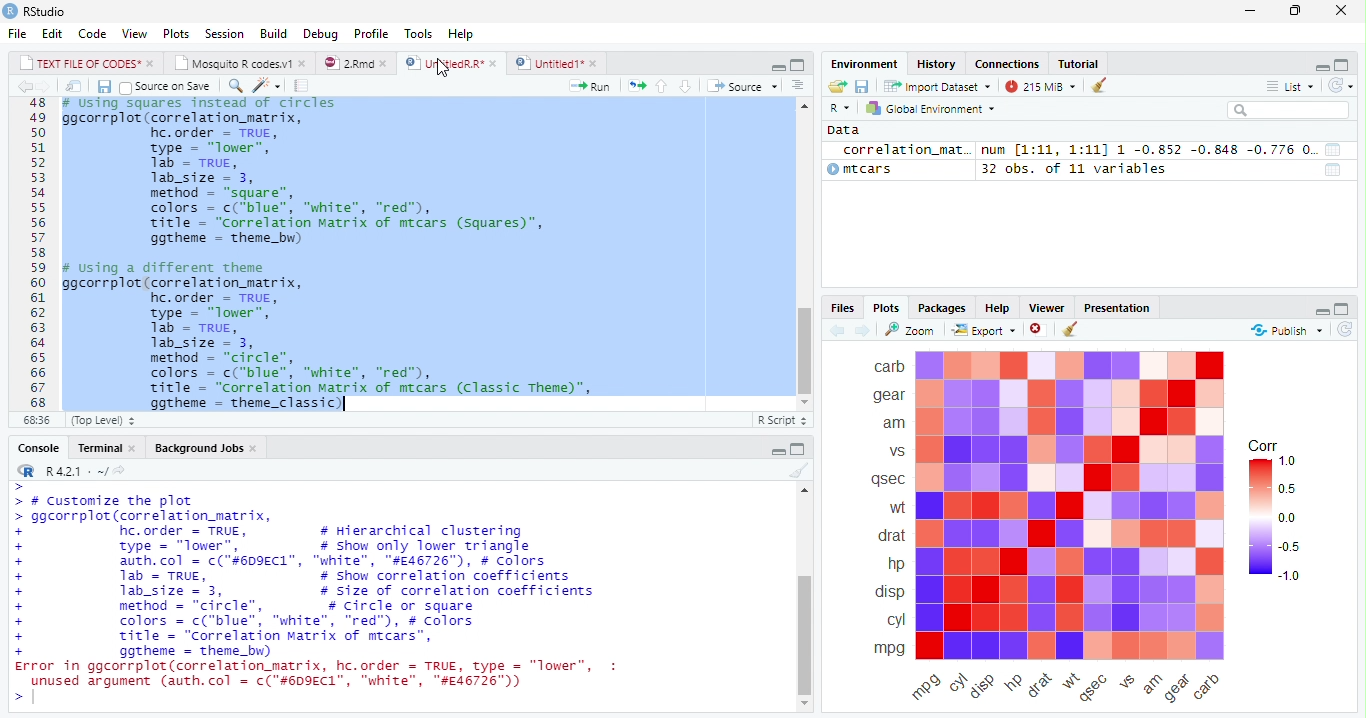 The height and width of the screenshot is (718, 1366). Describe the element at coordinates (88, 63) in the screenshot. I see `| TEXT FILE OF CODES* »` at that location.